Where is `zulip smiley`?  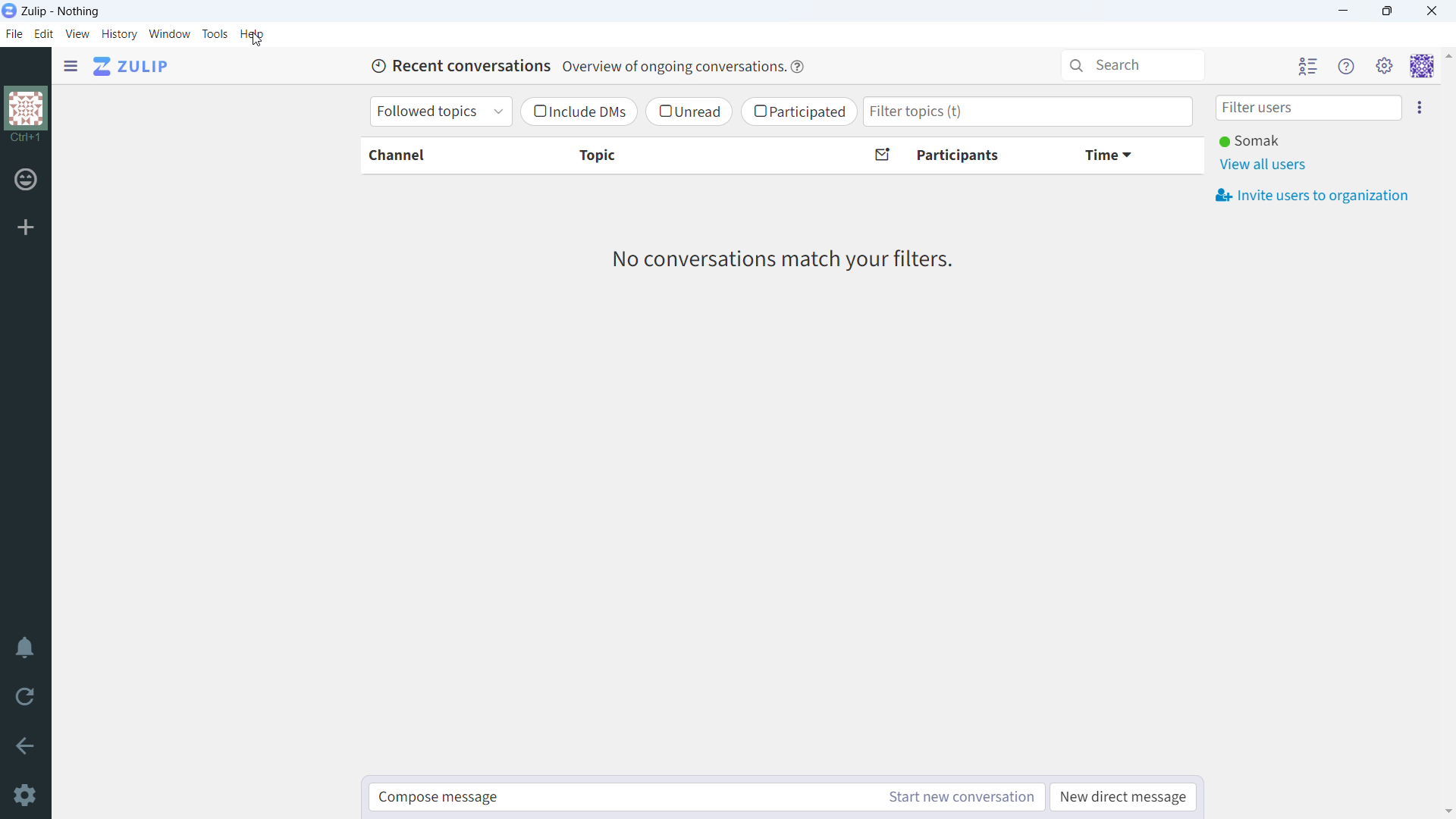 zulip smiley is located at coordinates (28, 182).